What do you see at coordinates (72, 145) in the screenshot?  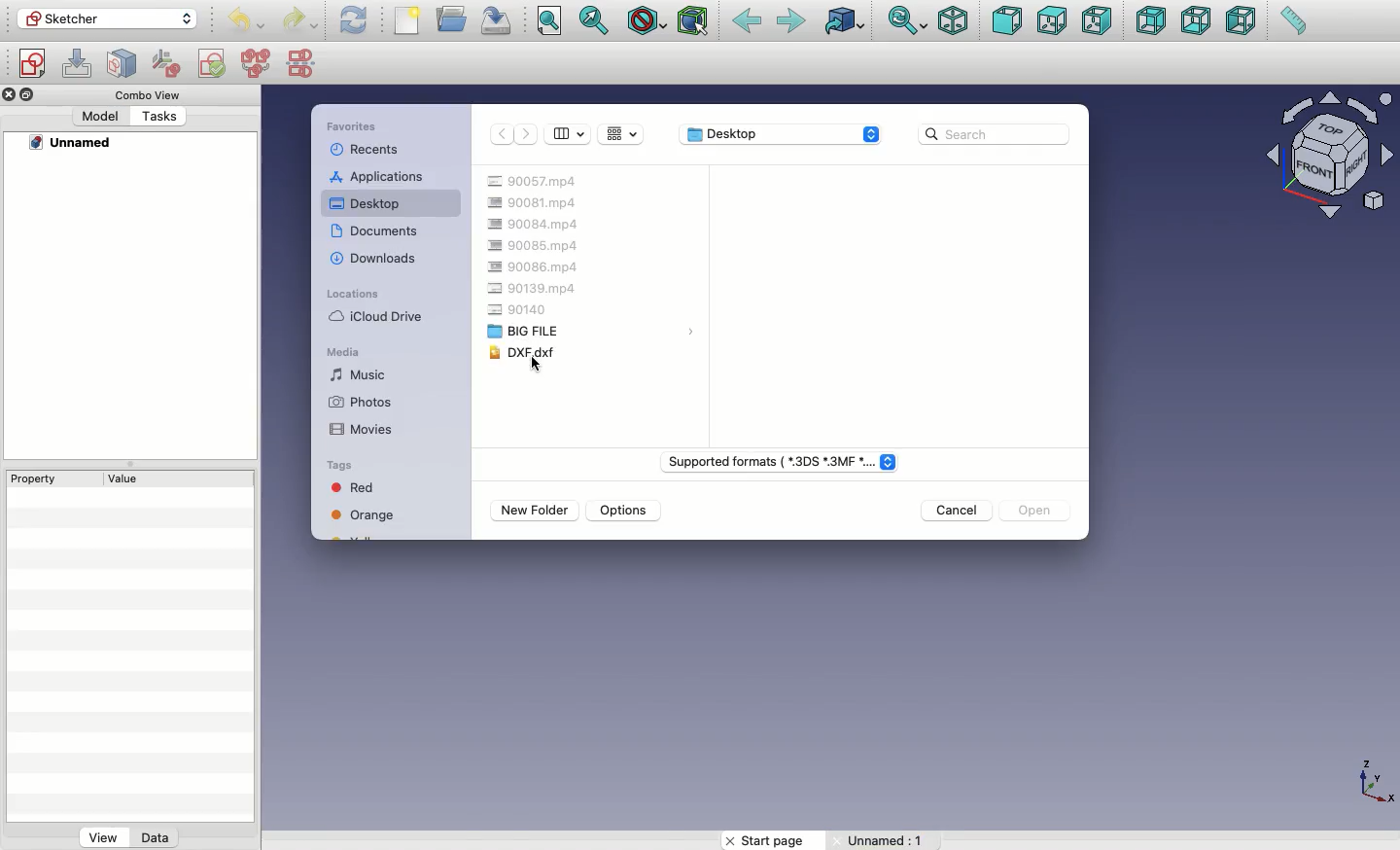 I see `Unnamed` at bounding box center [72, 145].